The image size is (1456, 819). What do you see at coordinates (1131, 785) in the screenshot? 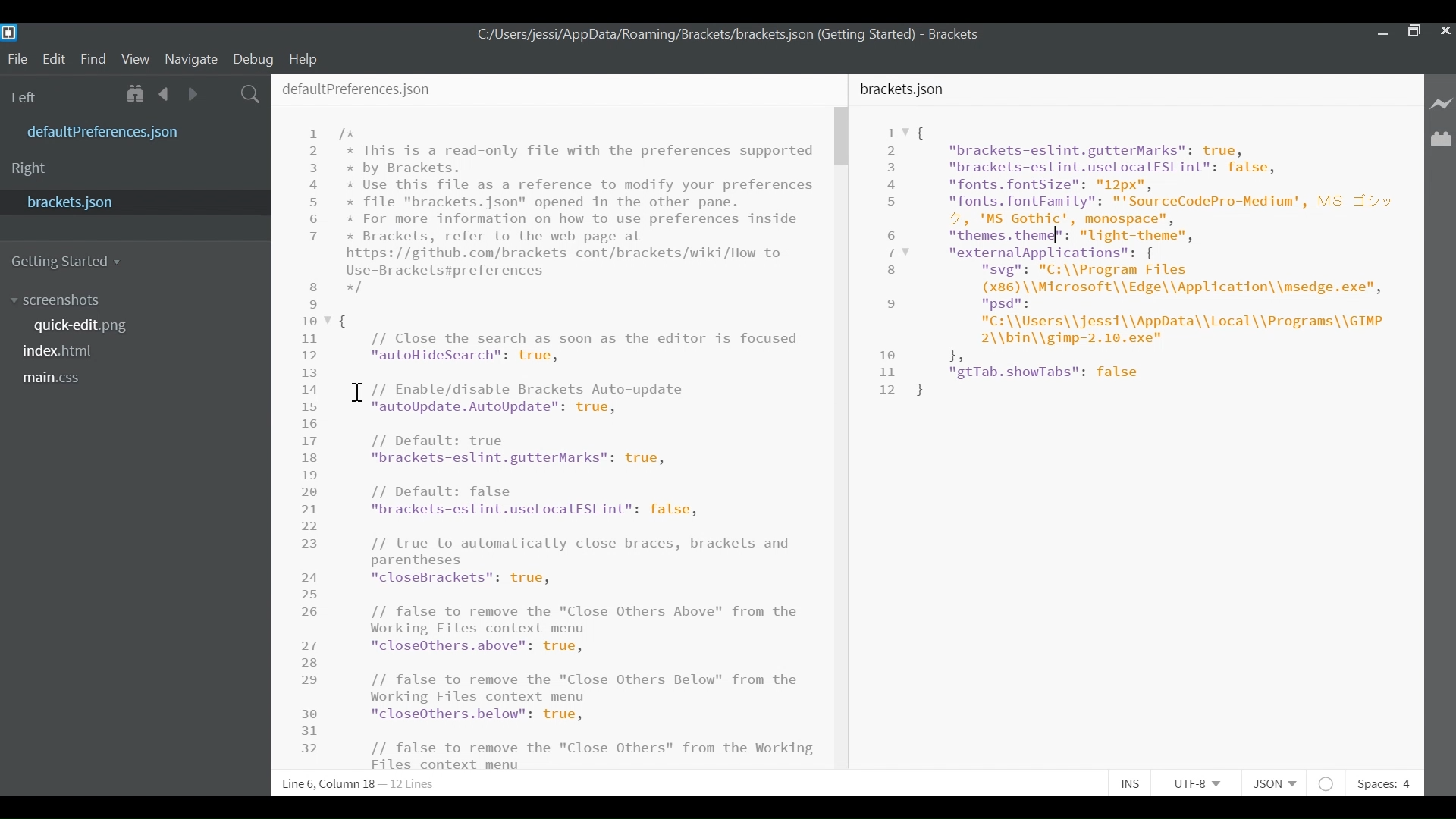
I see `Toggle Insert or Overwrite` at bounding box center [1131, 785].